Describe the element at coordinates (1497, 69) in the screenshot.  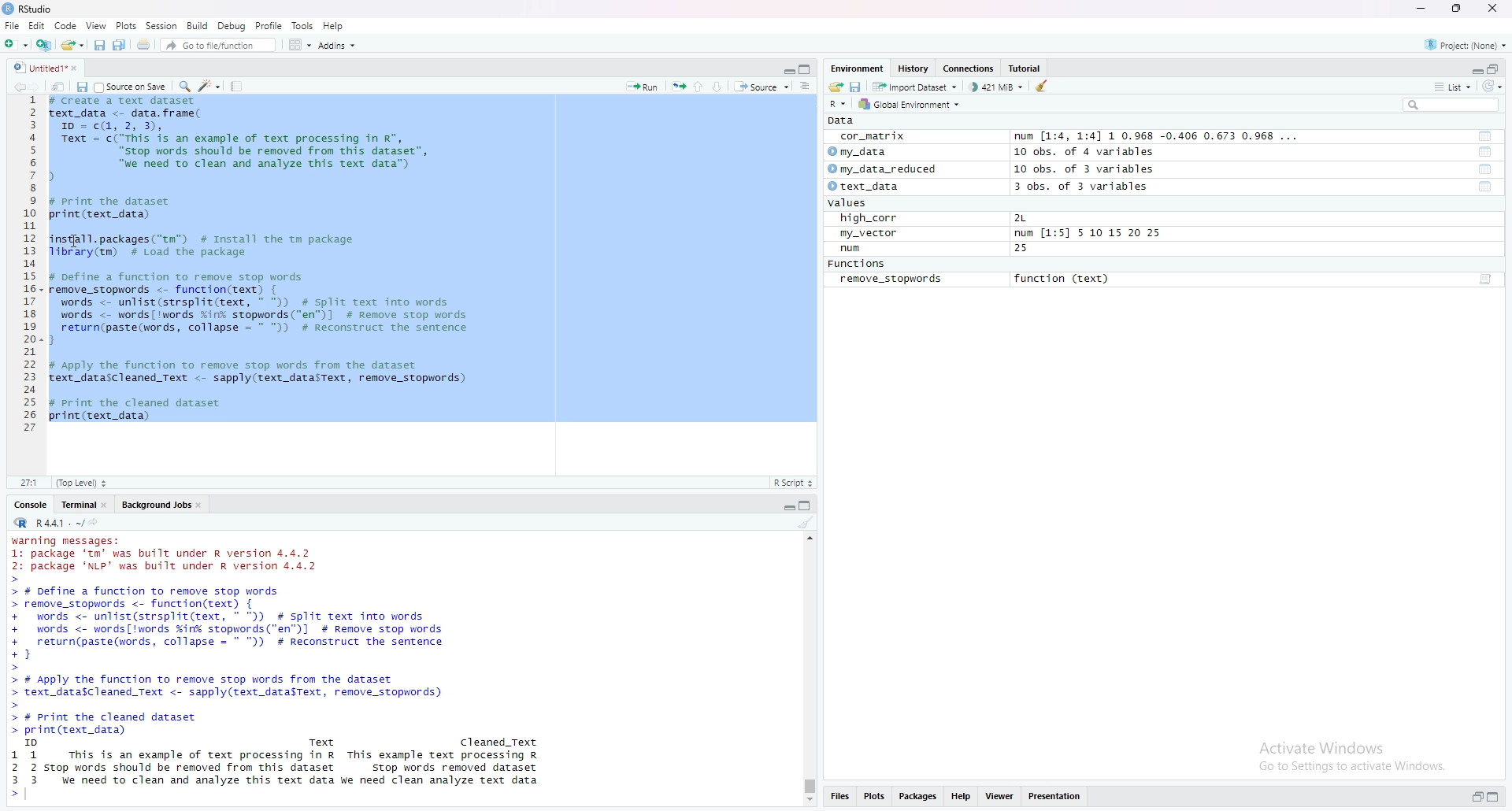
I see `collapse` at that location.